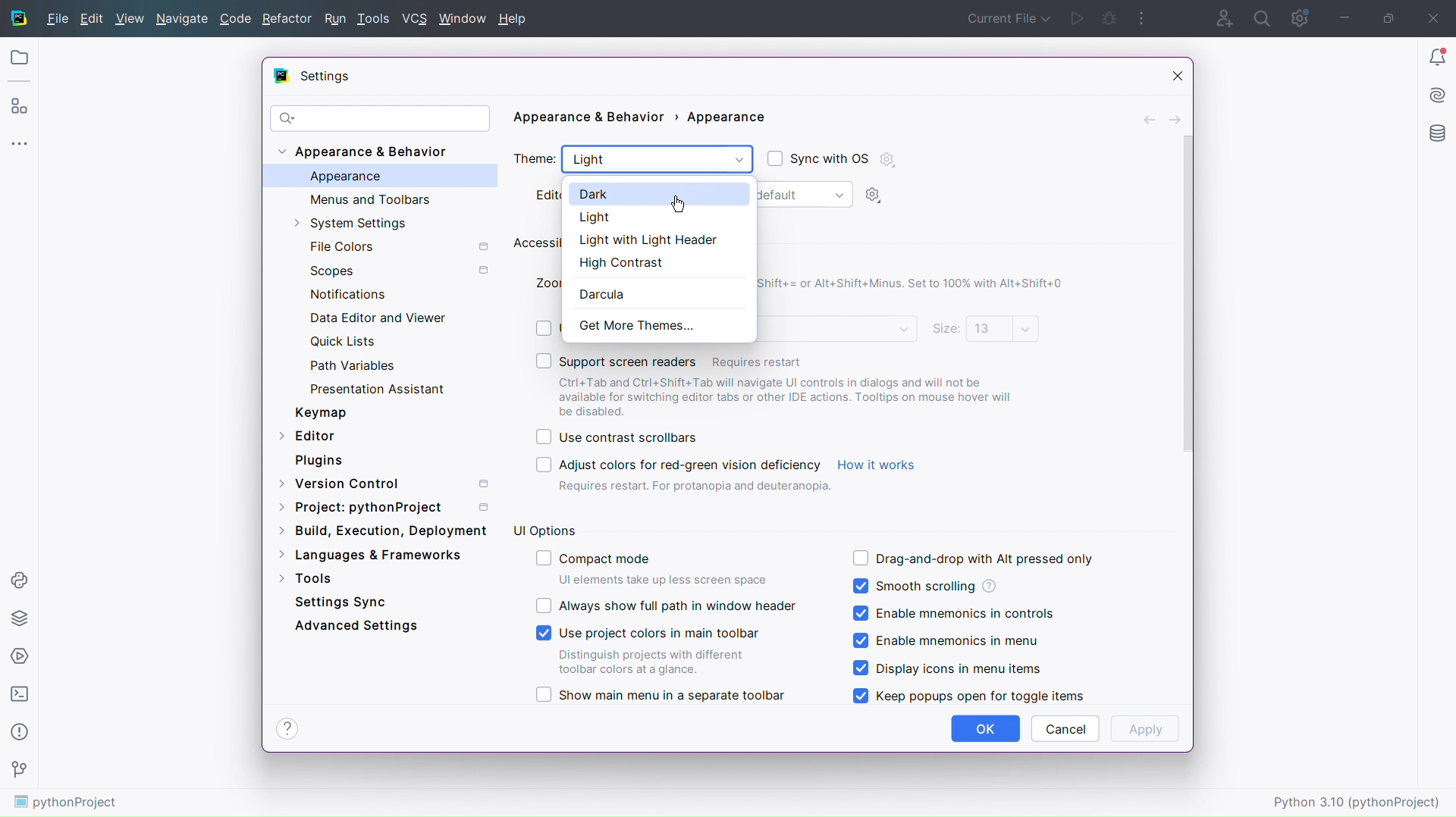  What do you see at coordinates (20, 656) in the screenshot?
I see `Services` at bounding box center [20, 656].